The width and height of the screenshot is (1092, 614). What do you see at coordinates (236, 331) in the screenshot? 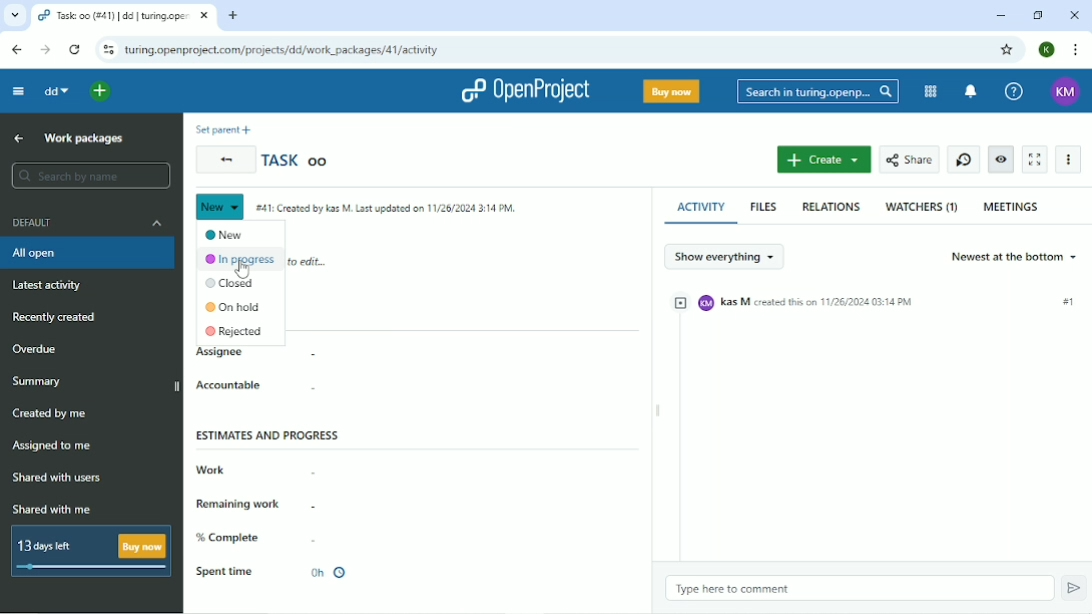
I see `Rejected` at bounding box center [236, 331].